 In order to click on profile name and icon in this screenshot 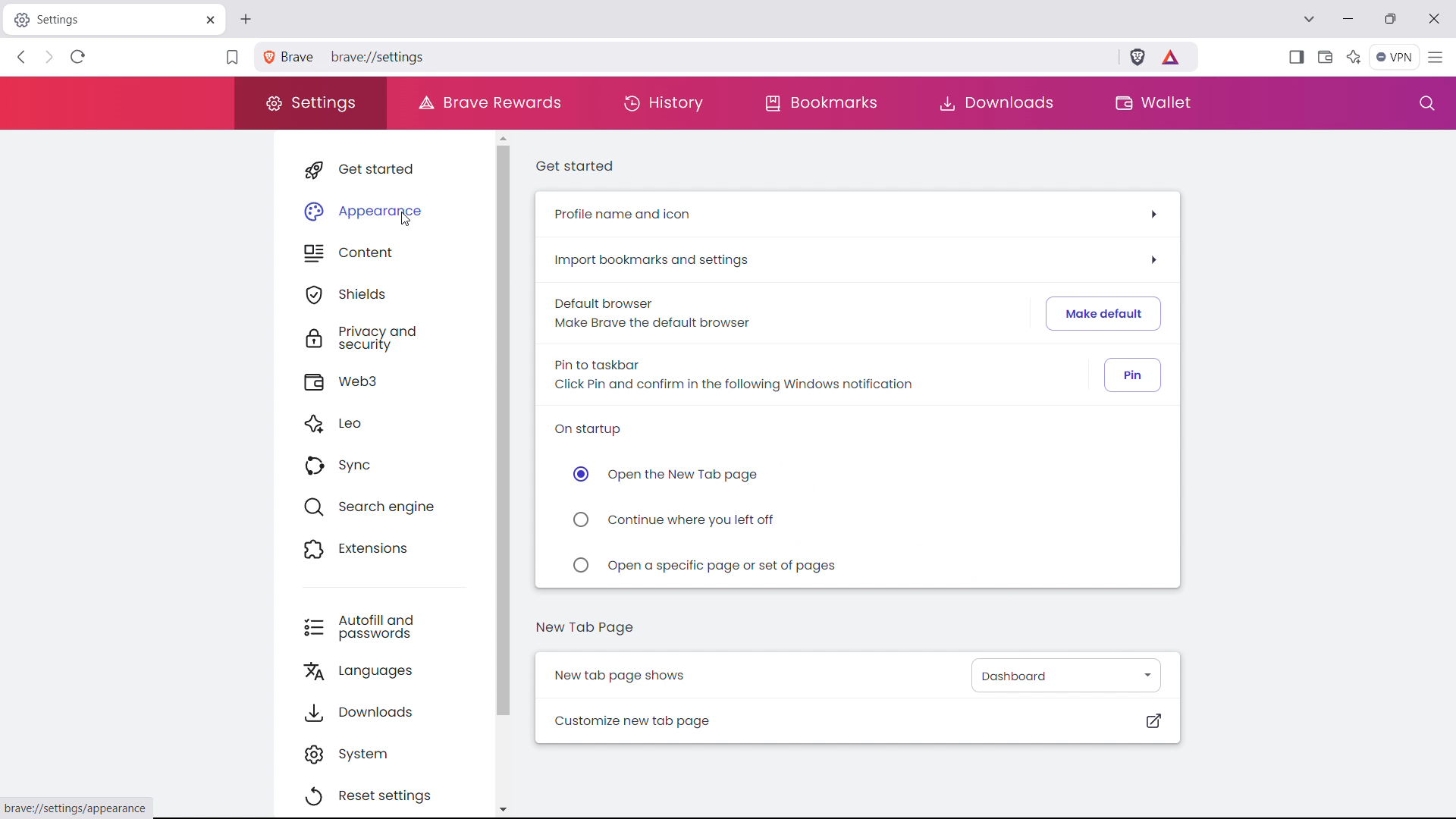, I will do `click(854, 214)`.